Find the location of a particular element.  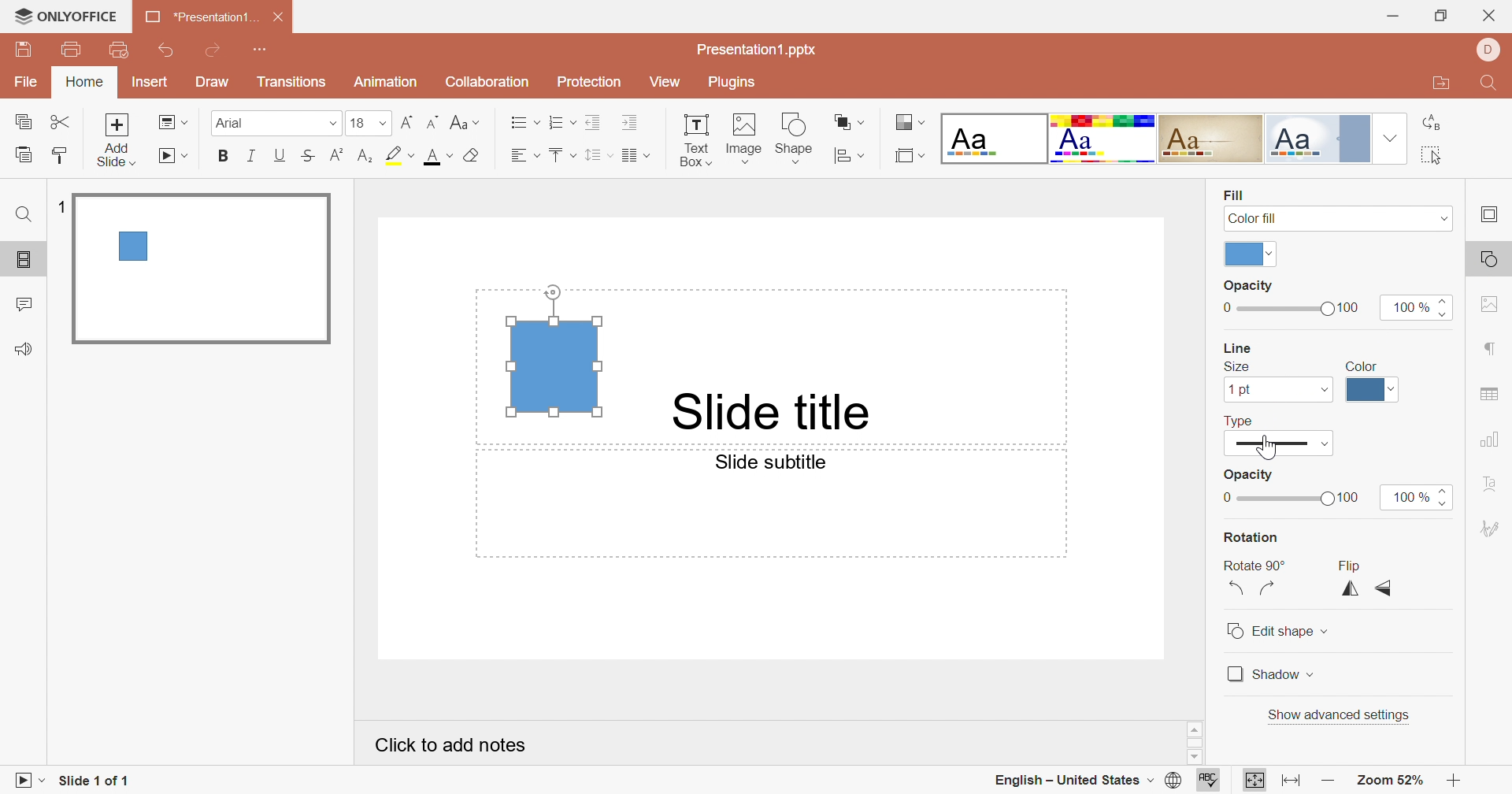

Font is located at coordinates (276, 121).